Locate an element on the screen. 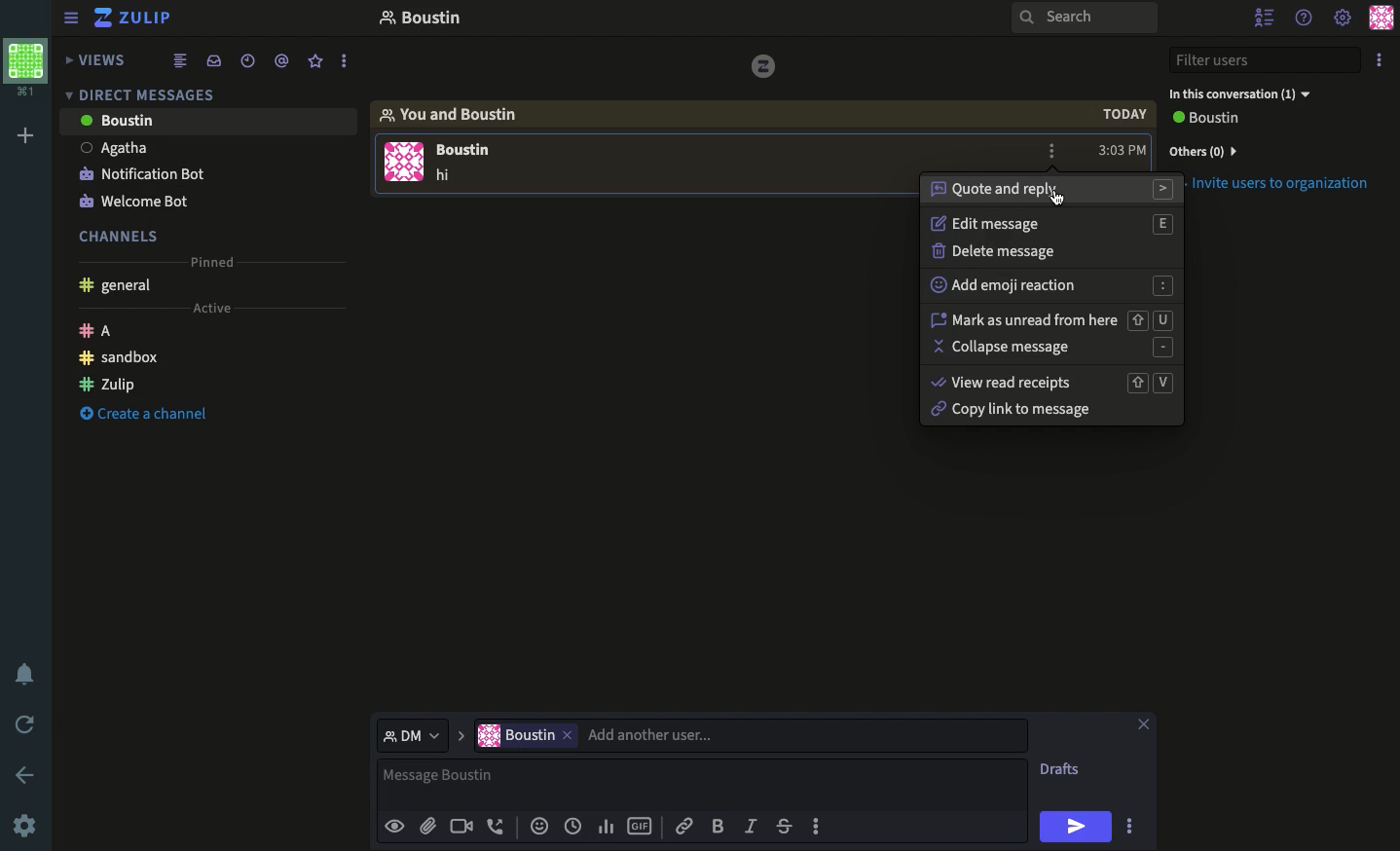 The image size is (1400, 851). DM is located at coordinates (422, 734).